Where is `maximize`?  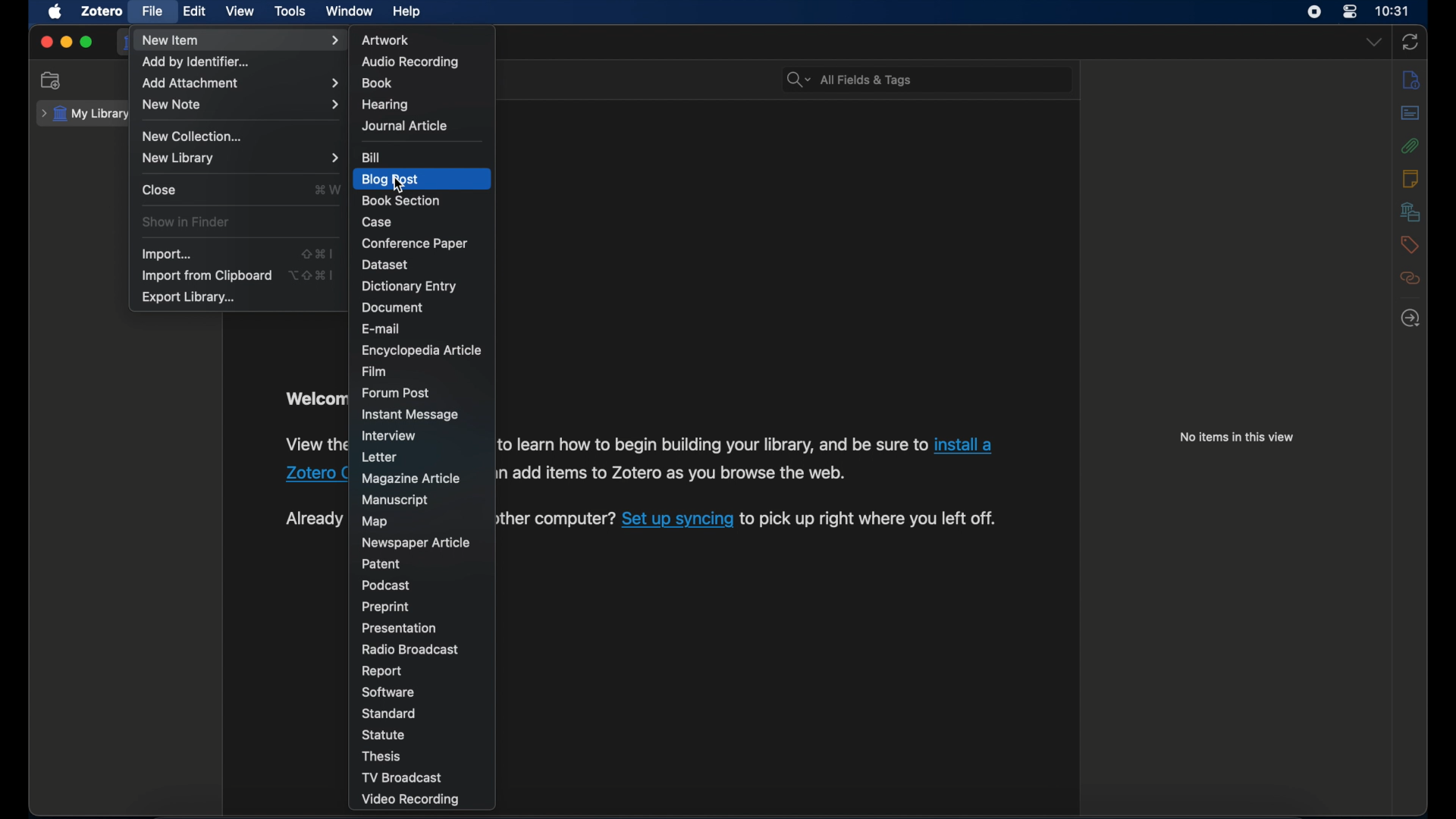
maximize is located at coordinates (86, 43).